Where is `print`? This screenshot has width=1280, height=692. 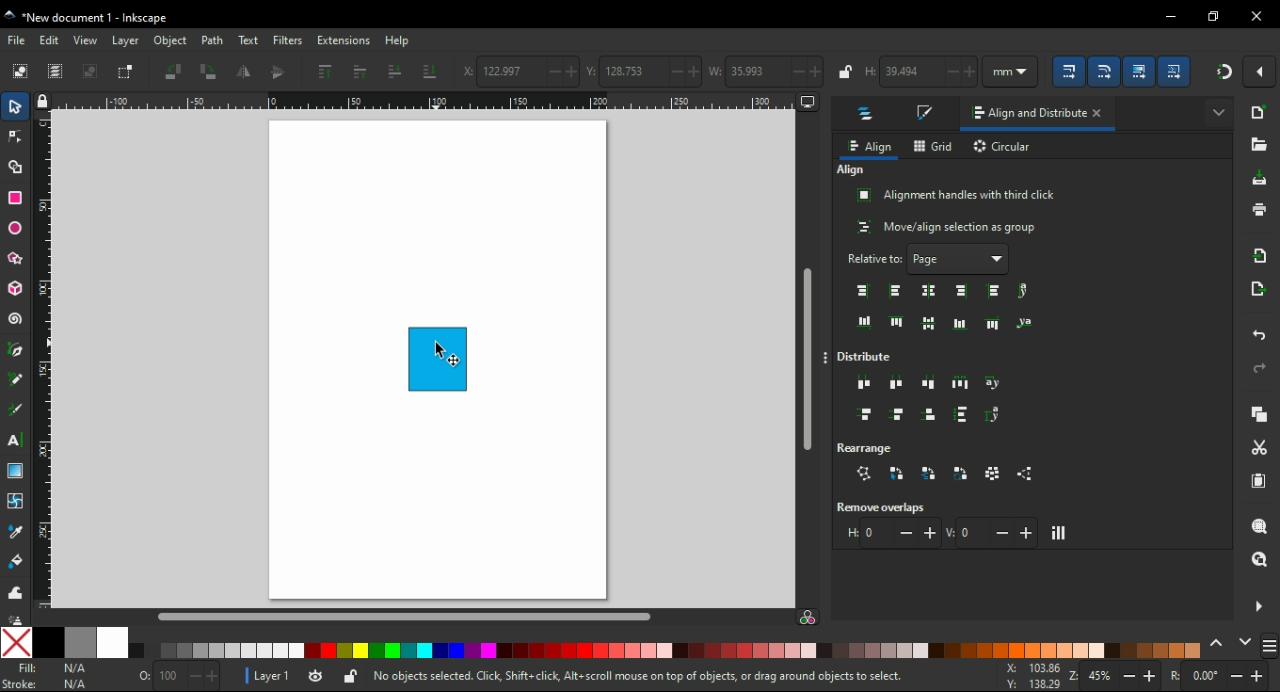
print is located at coordinates (1256, 214).